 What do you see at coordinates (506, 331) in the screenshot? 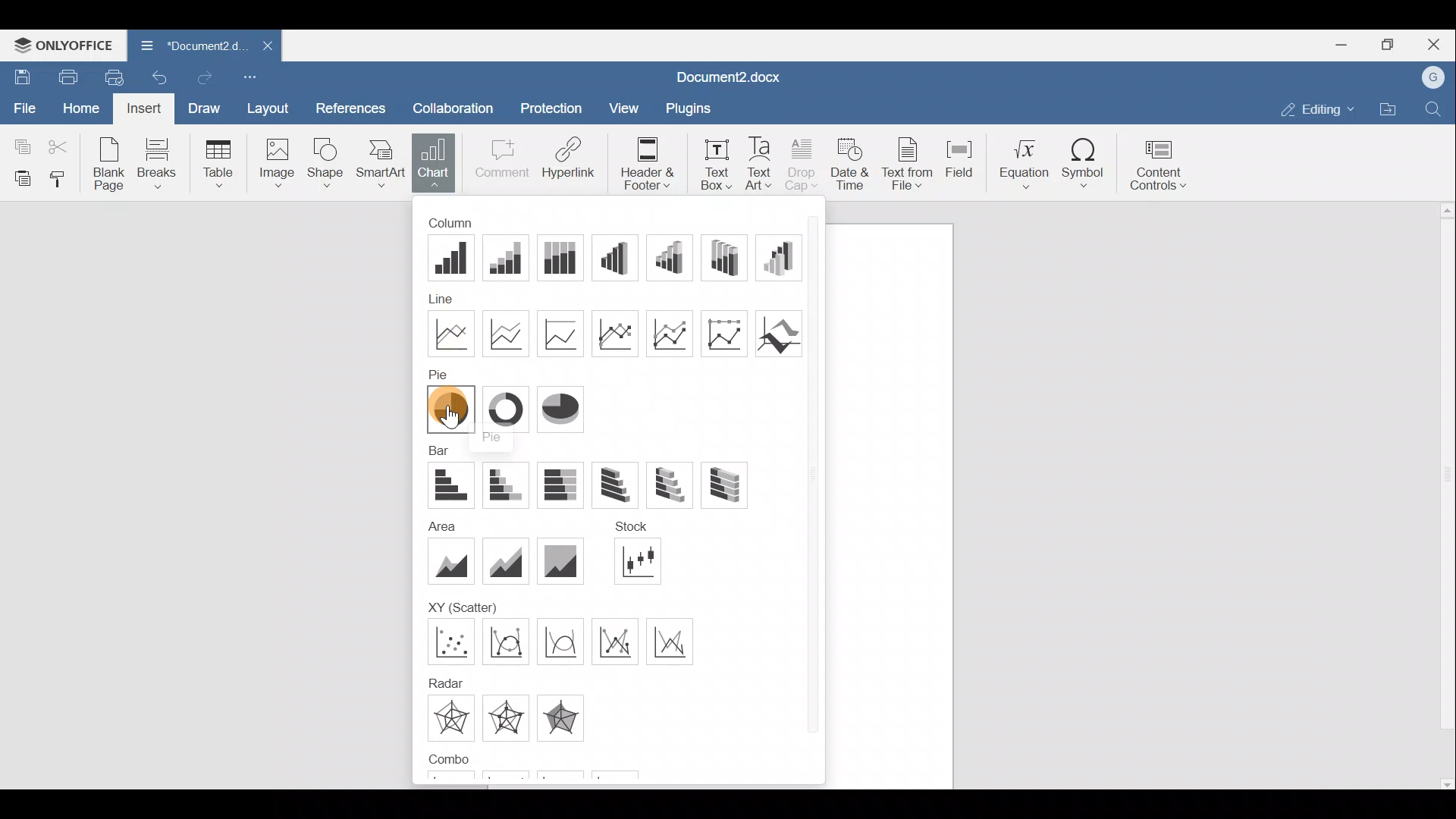
I see `Stacked line` at bounding box center [506, 331].